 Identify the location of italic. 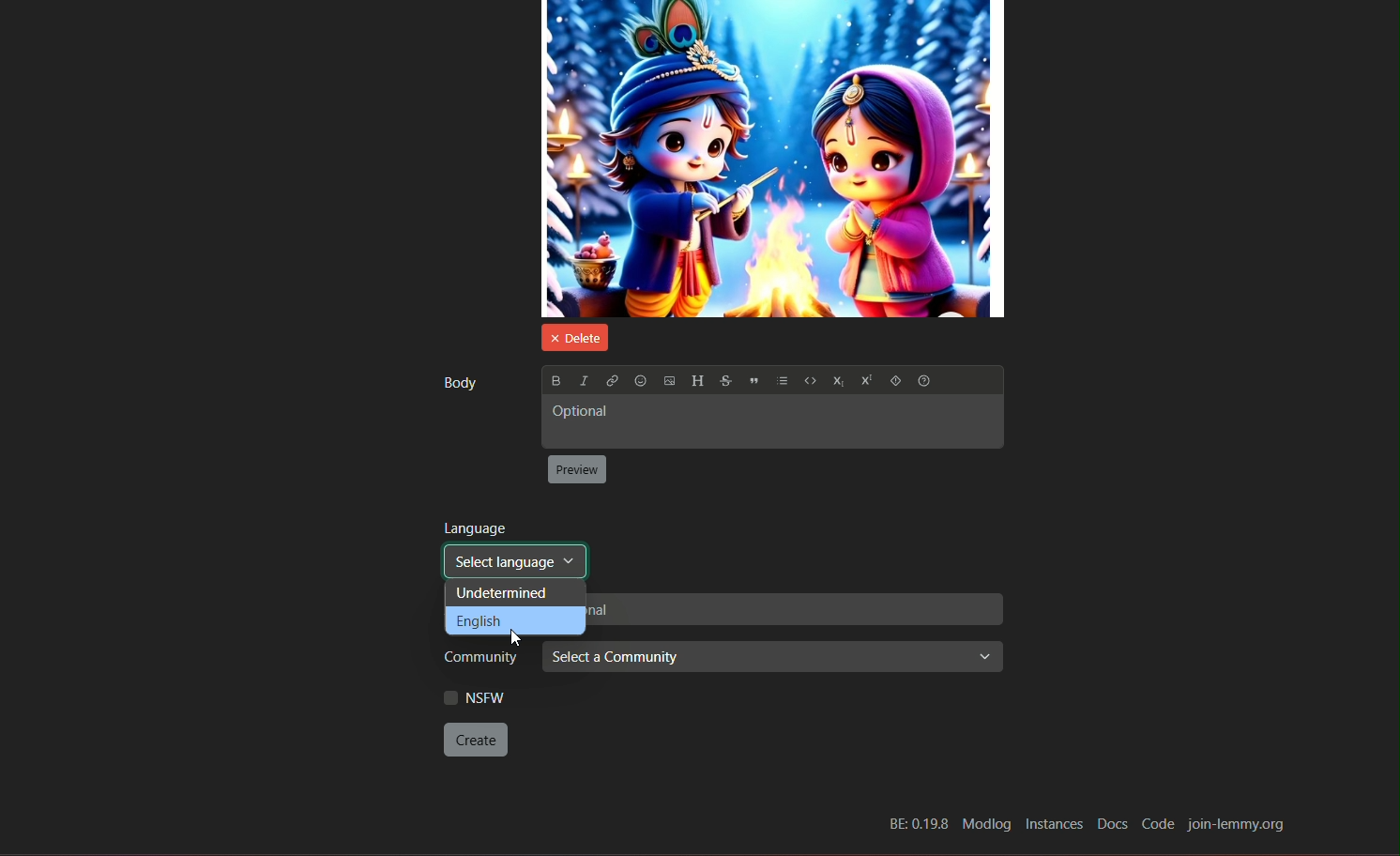
(582, 379).